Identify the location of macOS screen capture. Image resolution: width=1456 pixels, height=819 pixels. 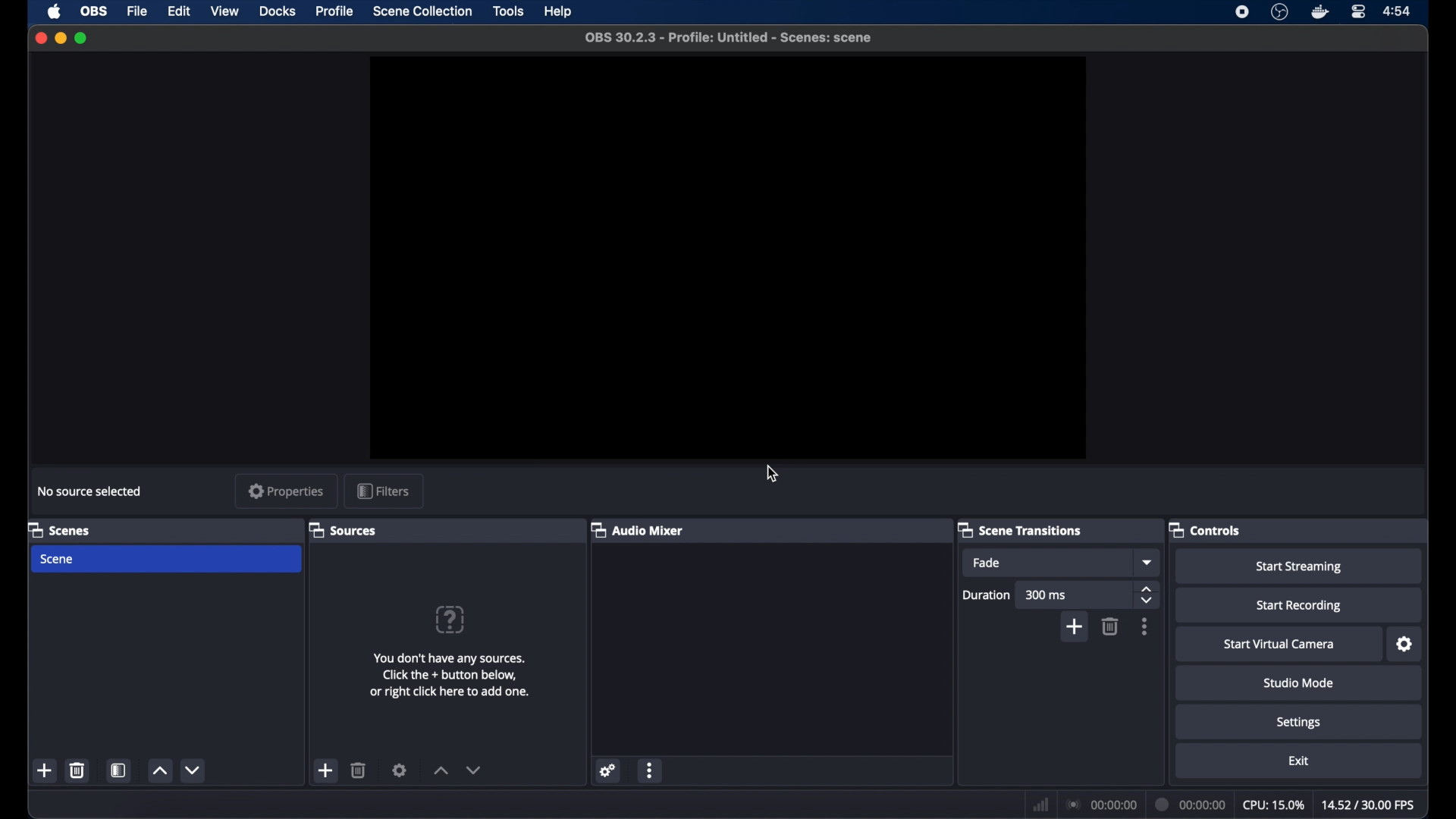
(114, 492).